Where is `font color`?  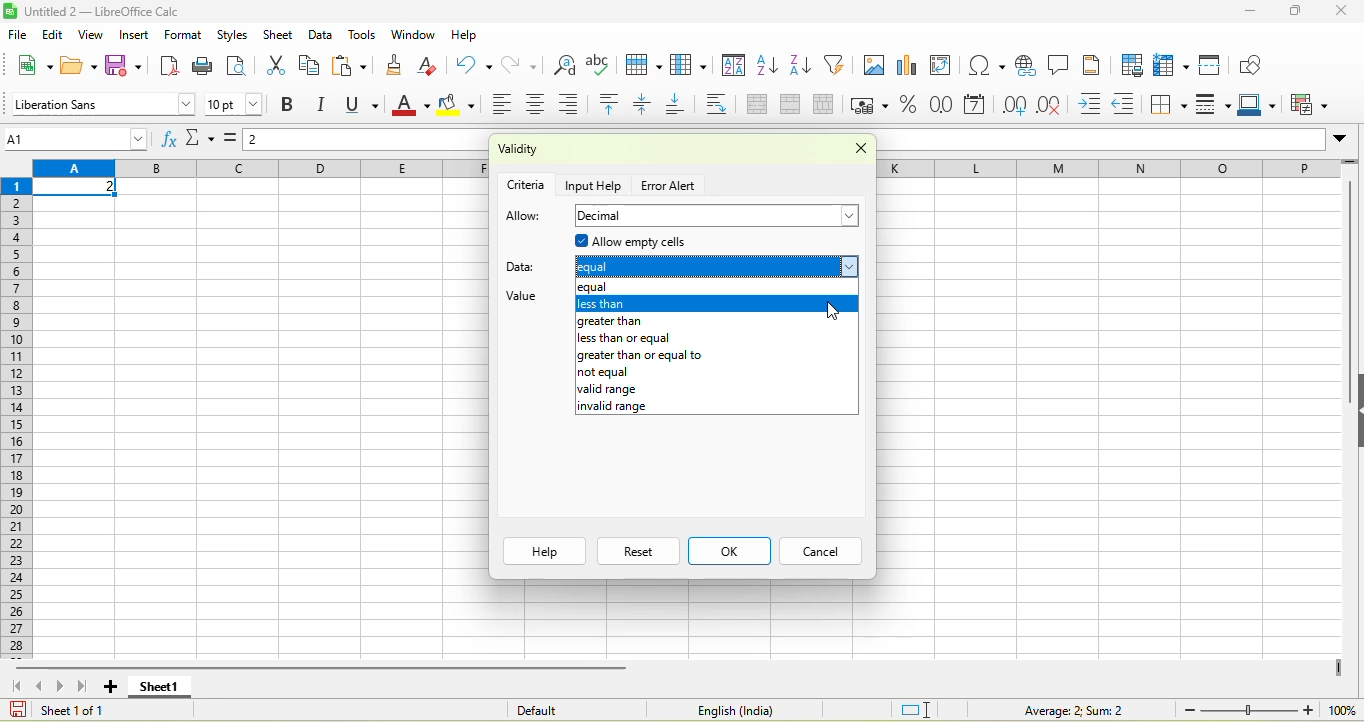 font color is located at coordinates (411, 106).